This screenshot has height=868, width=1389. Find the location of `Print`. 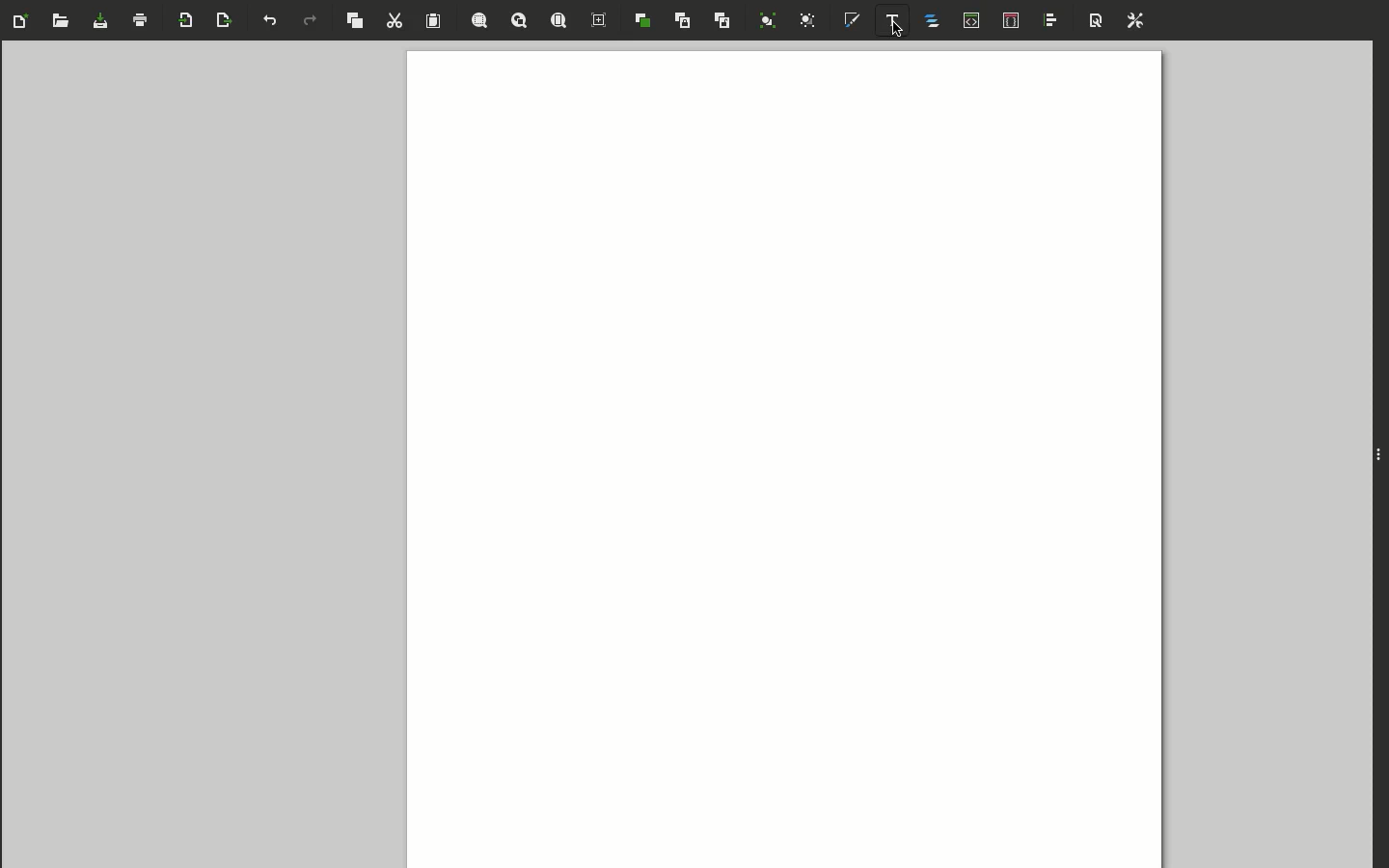

Print is located at coordinates (143, 19).